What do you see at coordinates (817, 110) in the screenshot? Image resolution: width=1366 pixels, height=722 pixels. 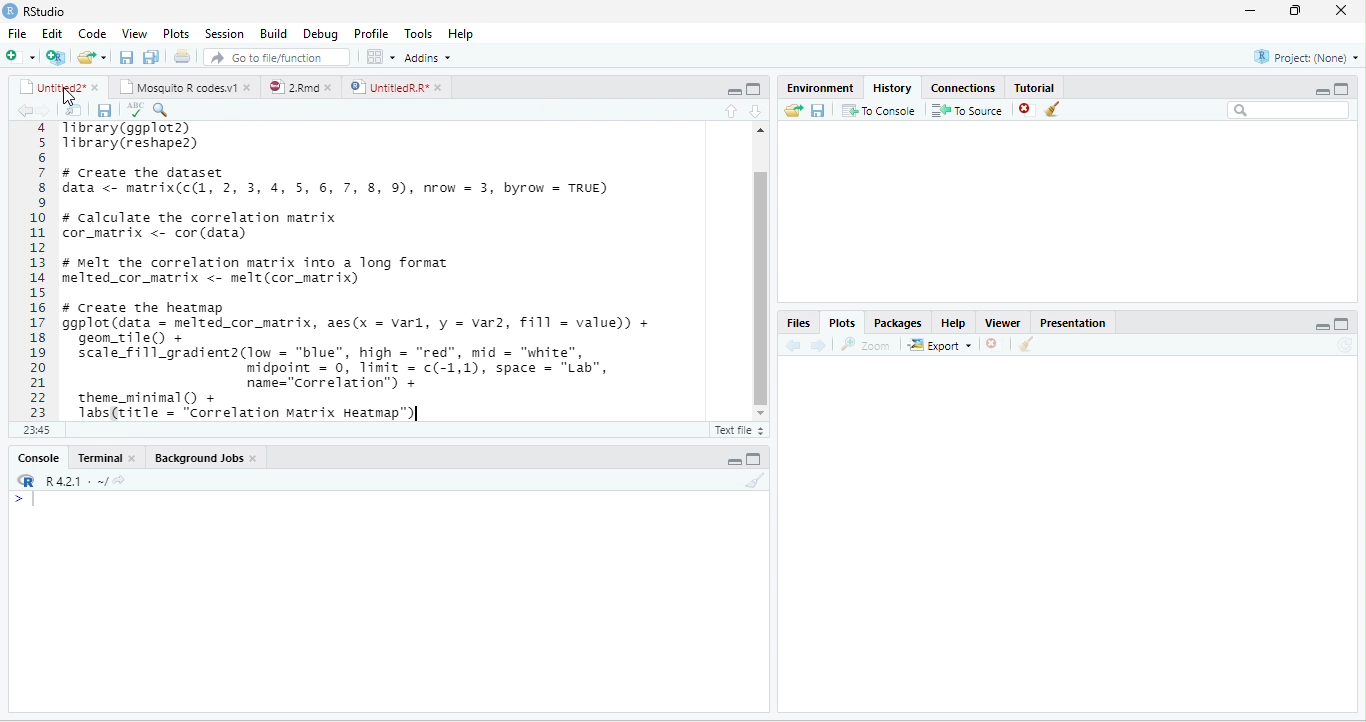 I see `save` at bounding box center [817, 110].